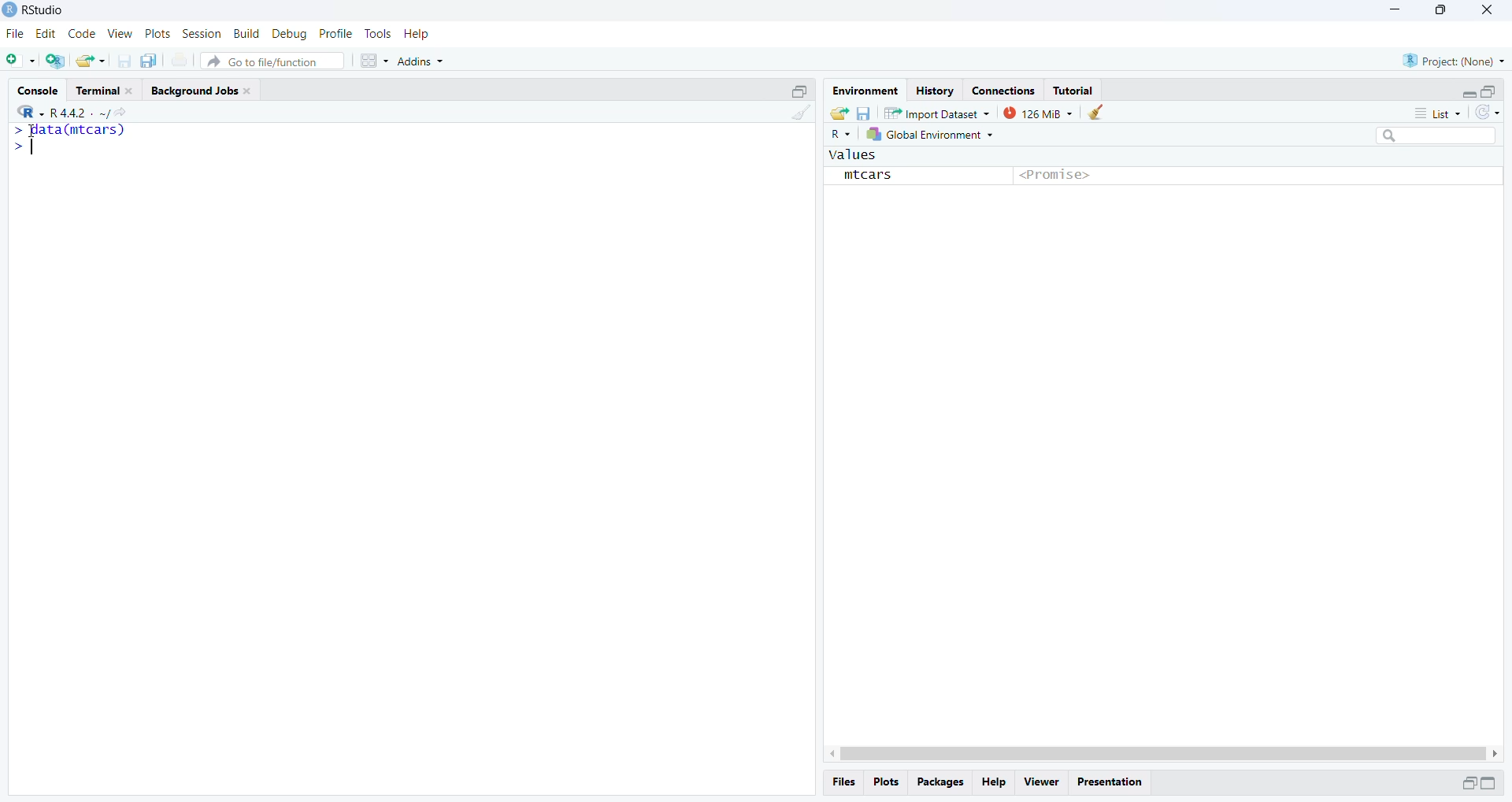 The image size is (1512, 802). I want to click on Help, so click(416, 33).